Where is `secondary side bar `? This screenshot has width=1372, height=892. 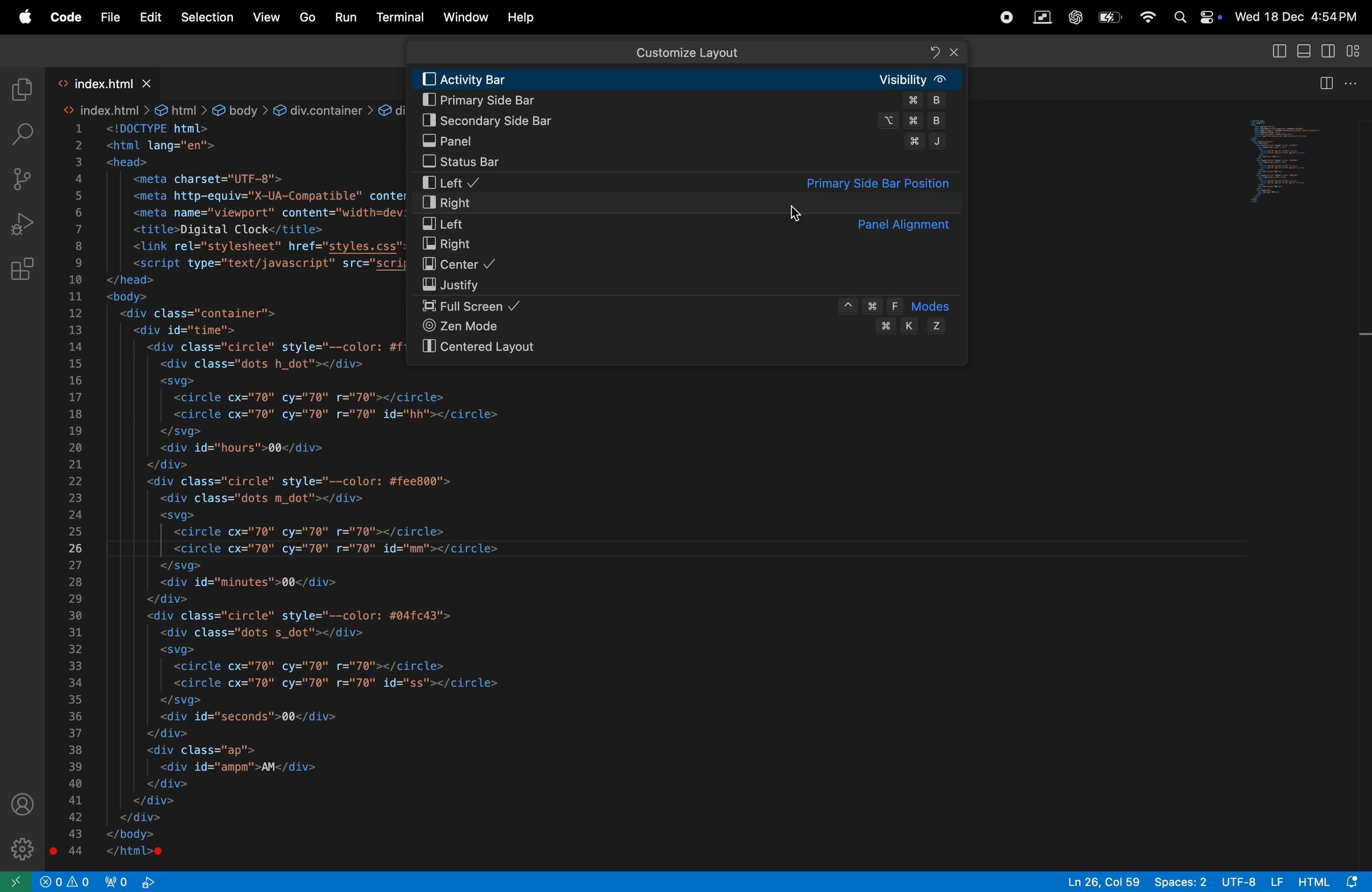
secondary side bar  is located at coordinates (1329, 50).